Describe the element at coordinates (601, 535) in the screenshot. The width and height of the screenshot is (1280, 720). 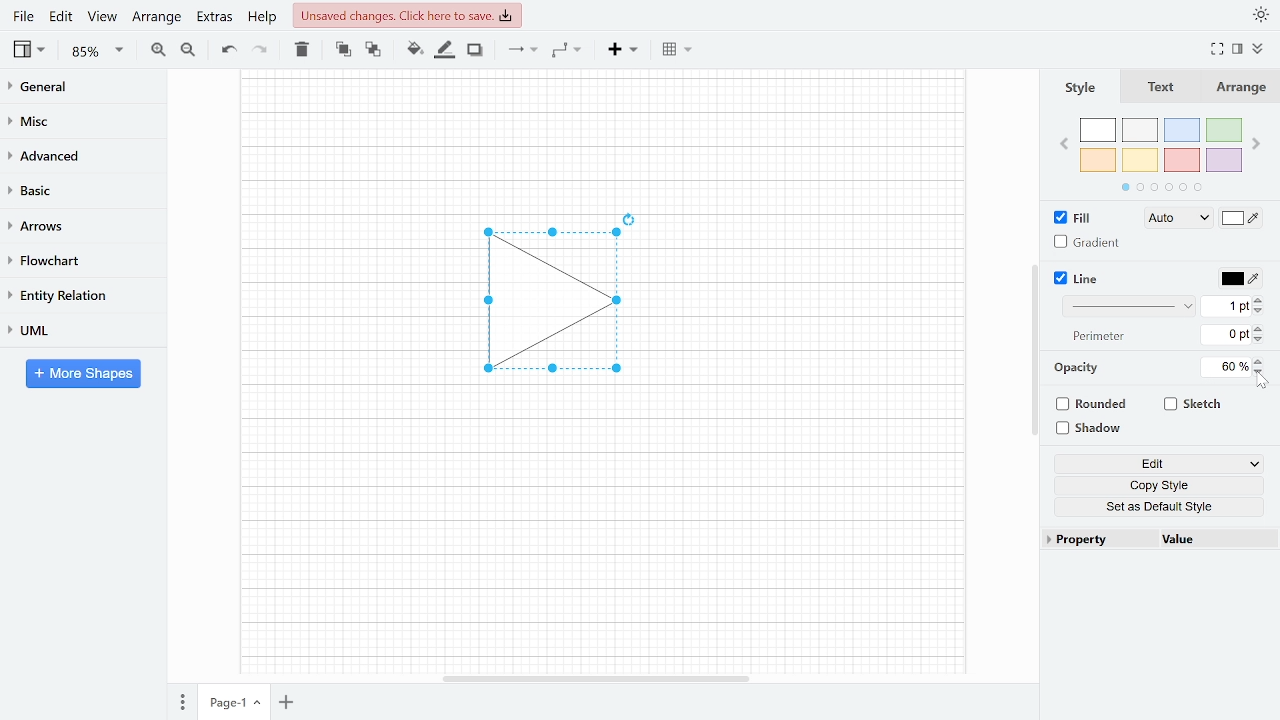
I see `workspace` at that location.